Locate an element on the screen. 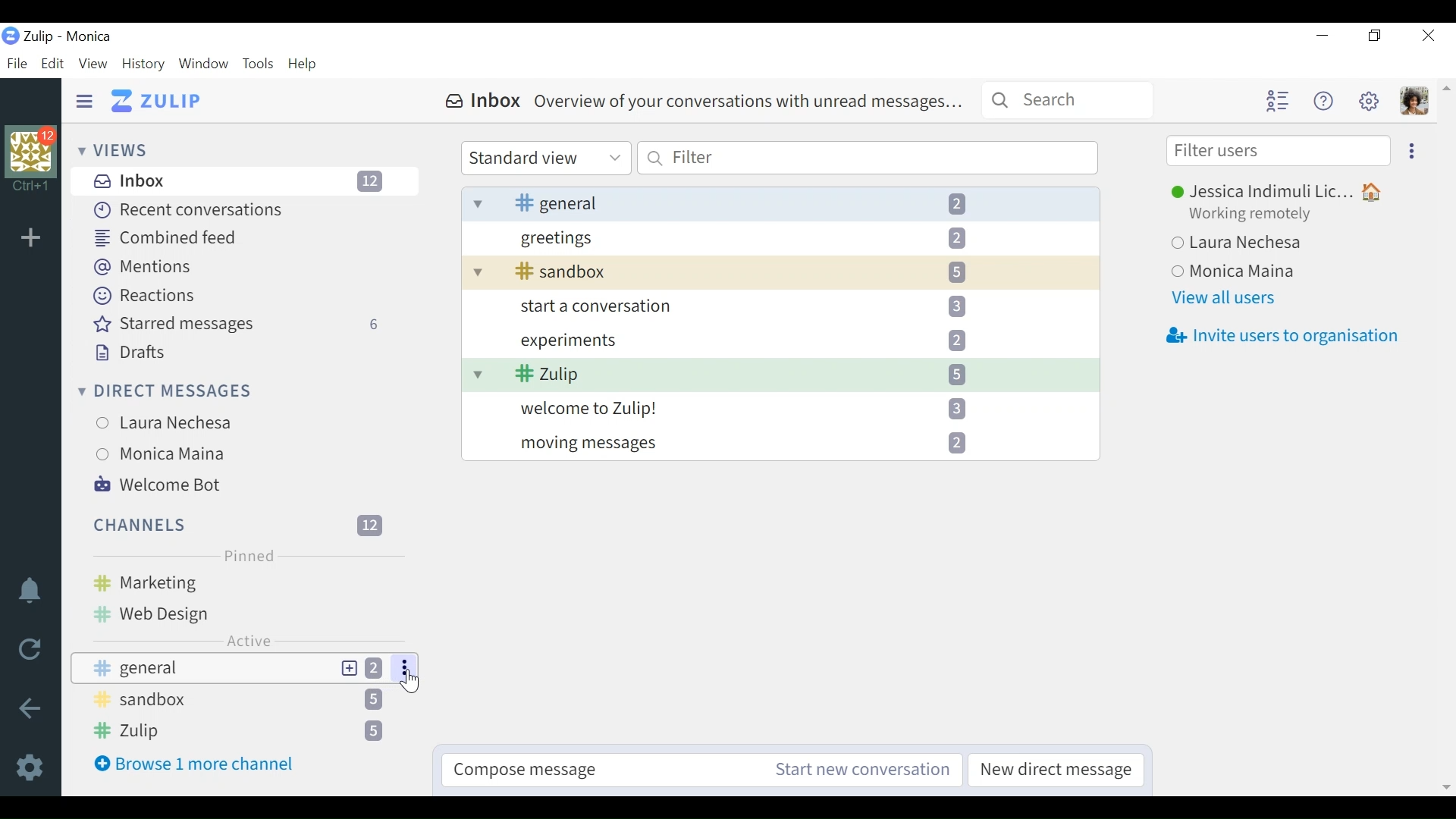 The height and width of the screenshot is (819, 1456). Help is located at coordinates (303, 65).